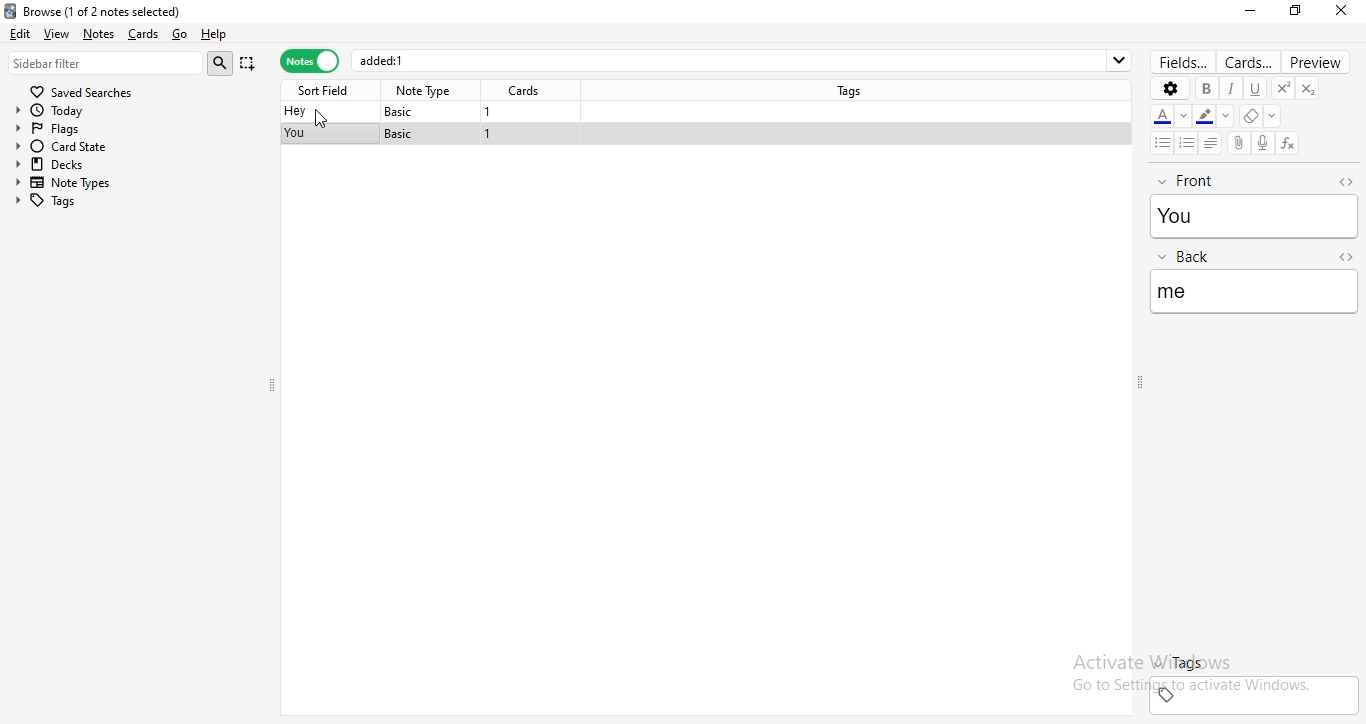 This screenshot has width=1366, height=724. Describe the element at coordinates (1257, 179) in the screenshot. I see `front` at that location.